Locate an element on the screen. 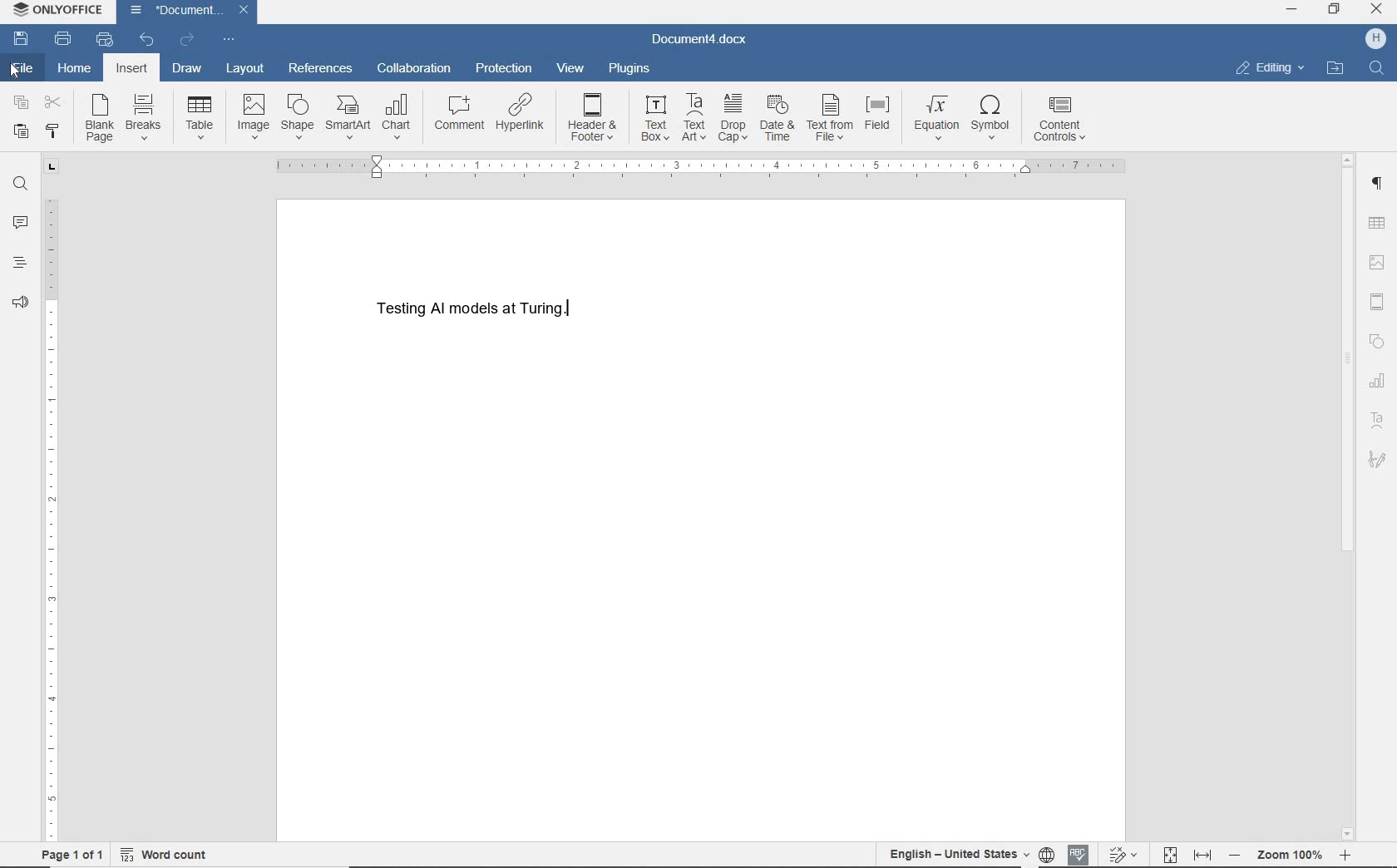  open file location is located at coordinates (1336, 70).